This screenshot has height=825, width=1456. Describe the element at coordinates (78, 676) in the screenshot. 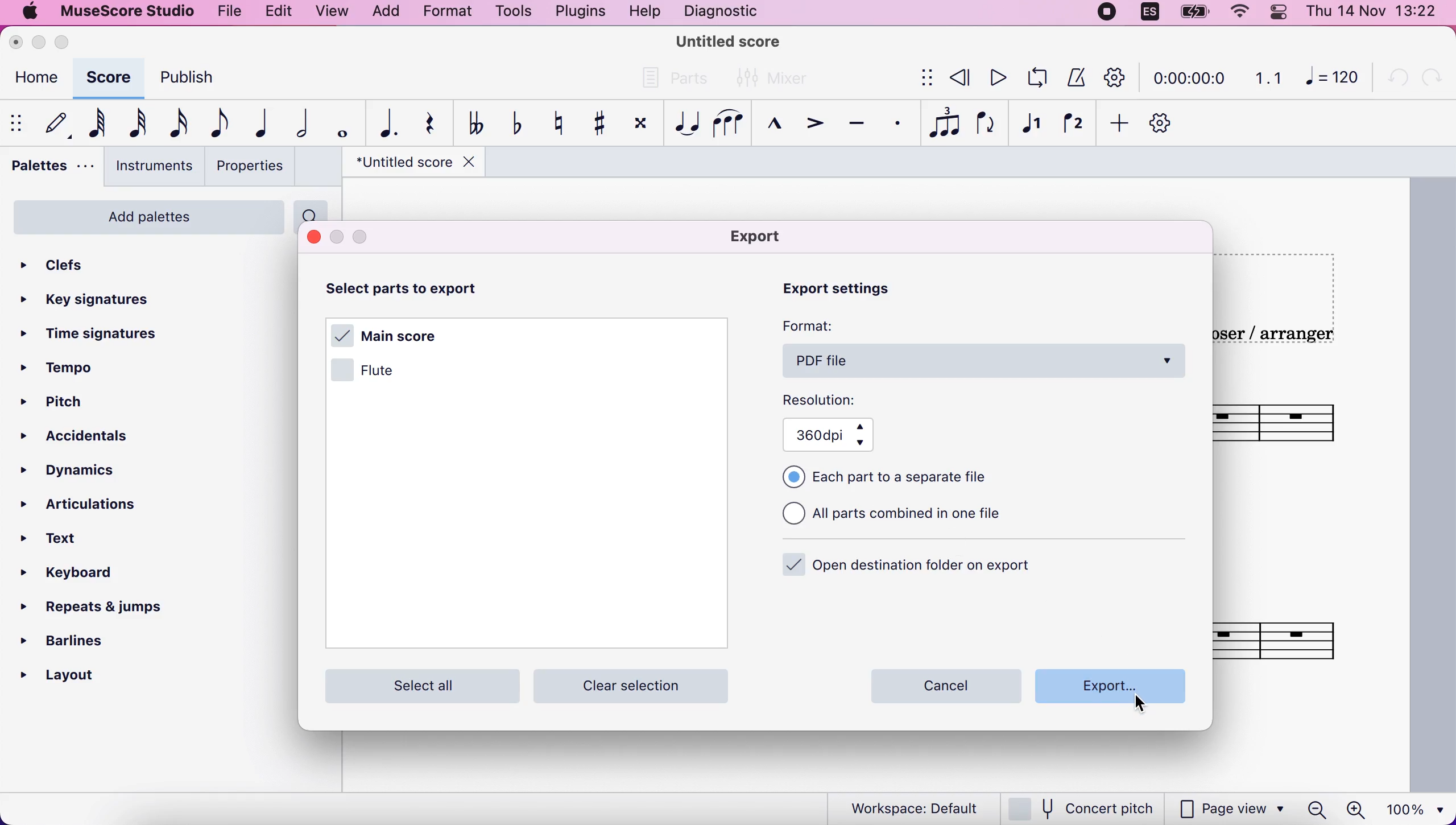

I see `layout` at that location.